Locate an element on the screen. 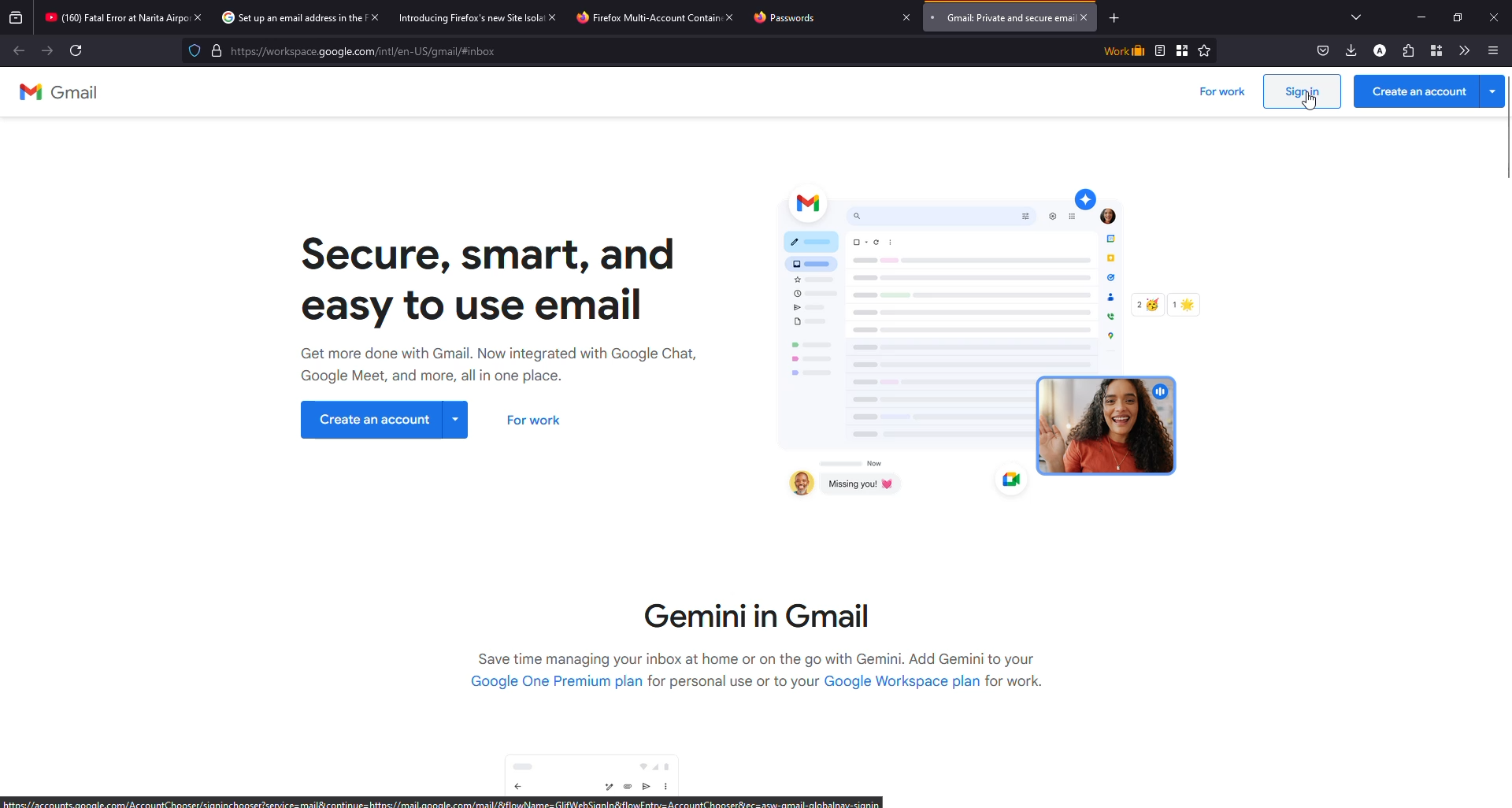 This screenshot has width=1512, height=808. Firefox Multi-Account is located at coordinates (630, 18).